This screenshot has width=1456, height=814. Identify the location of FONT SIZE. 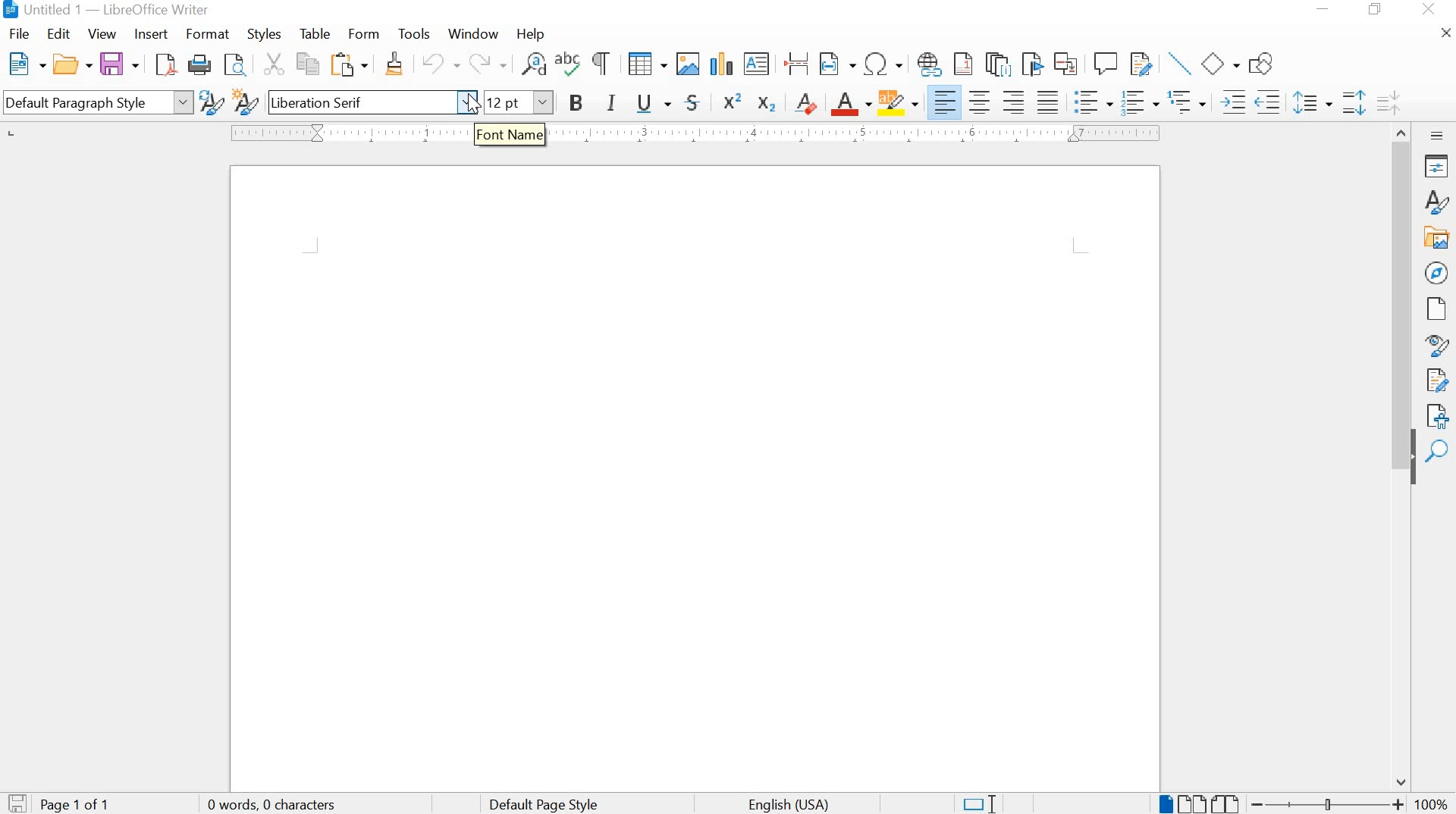
(519, 102).